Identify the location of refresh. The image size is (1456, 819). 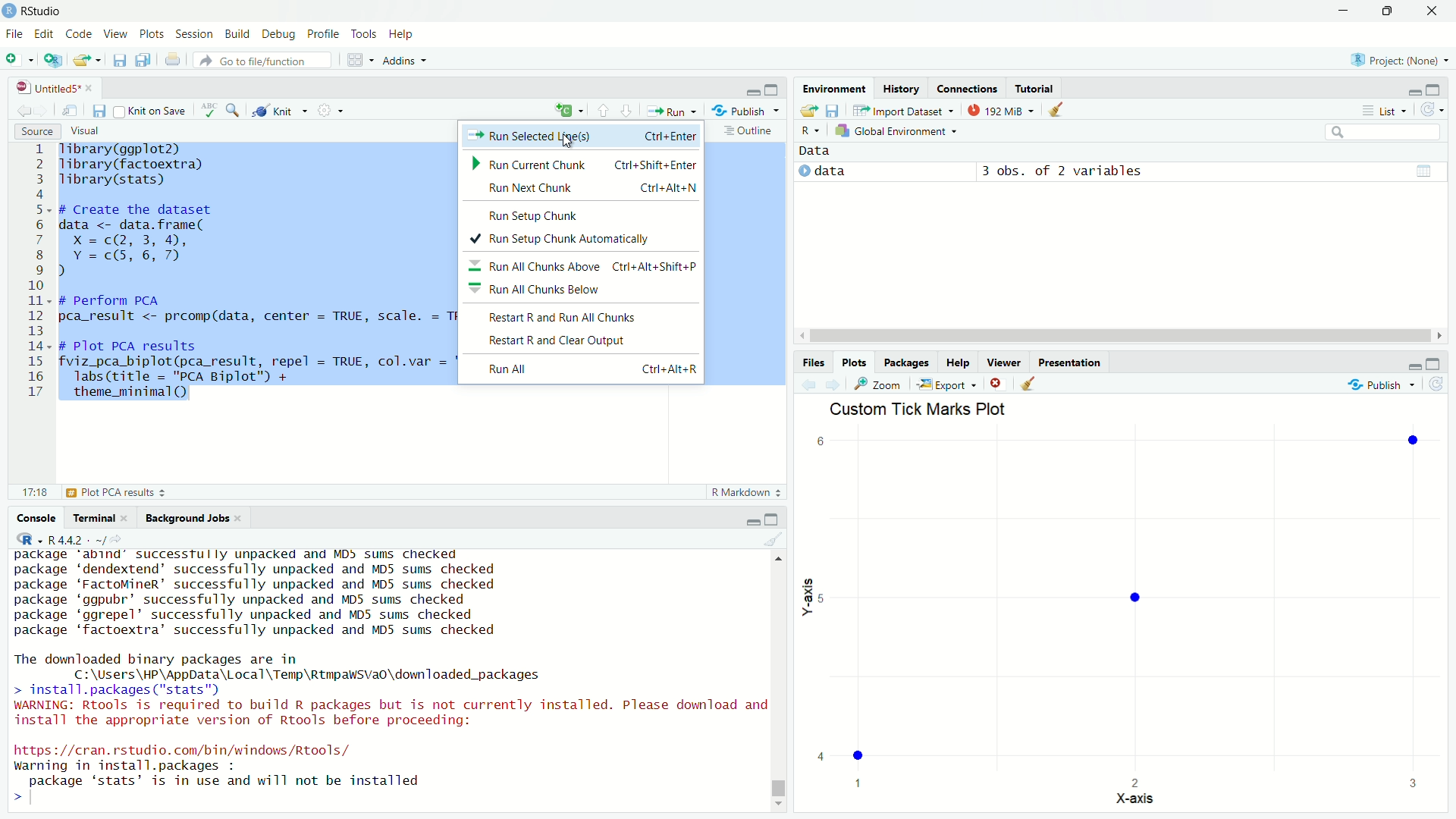
(1430, 110).